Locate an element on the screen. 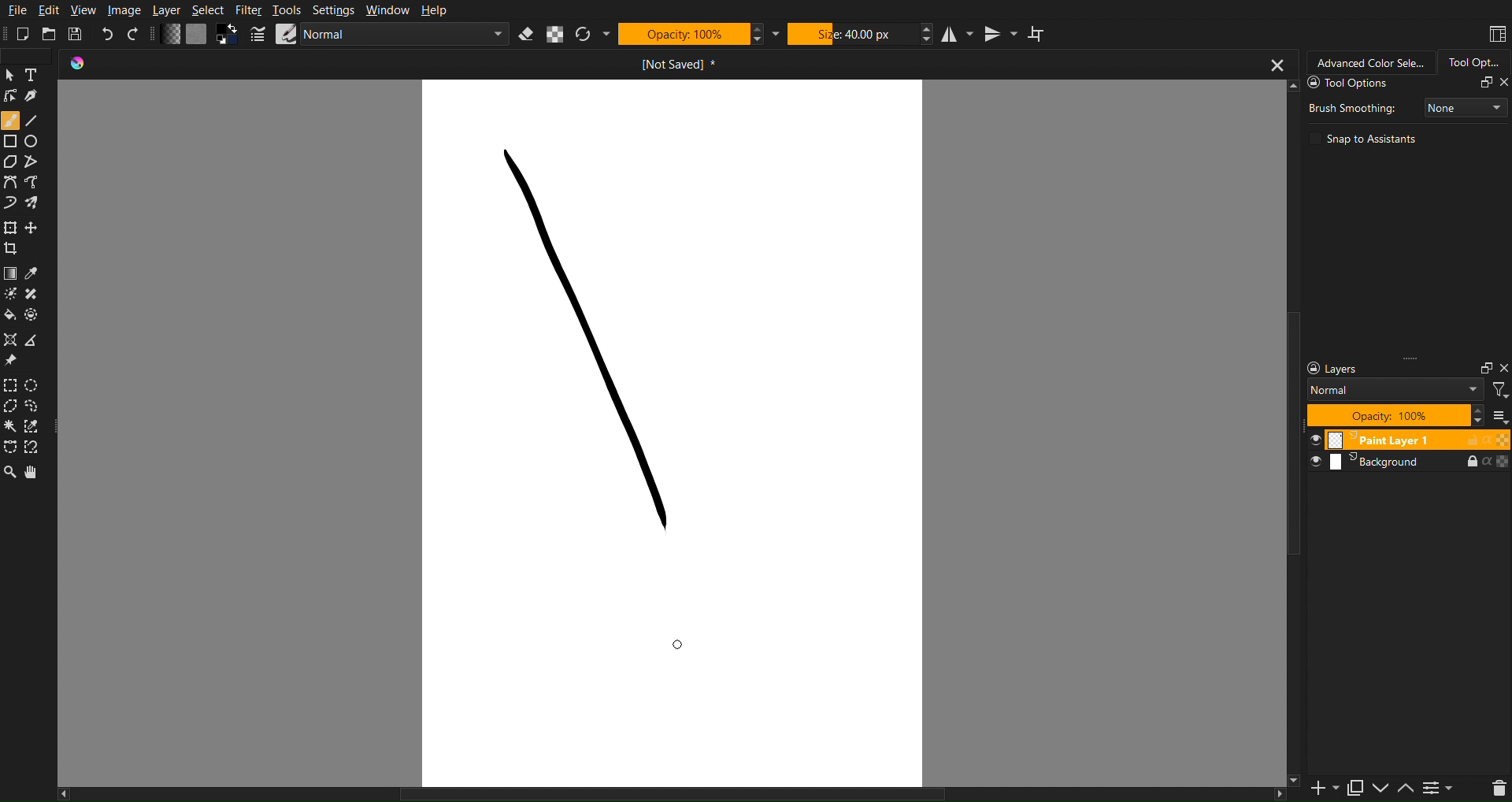 This screenshot has height=802, width=1512. Save is located at coordinates (77, 33).